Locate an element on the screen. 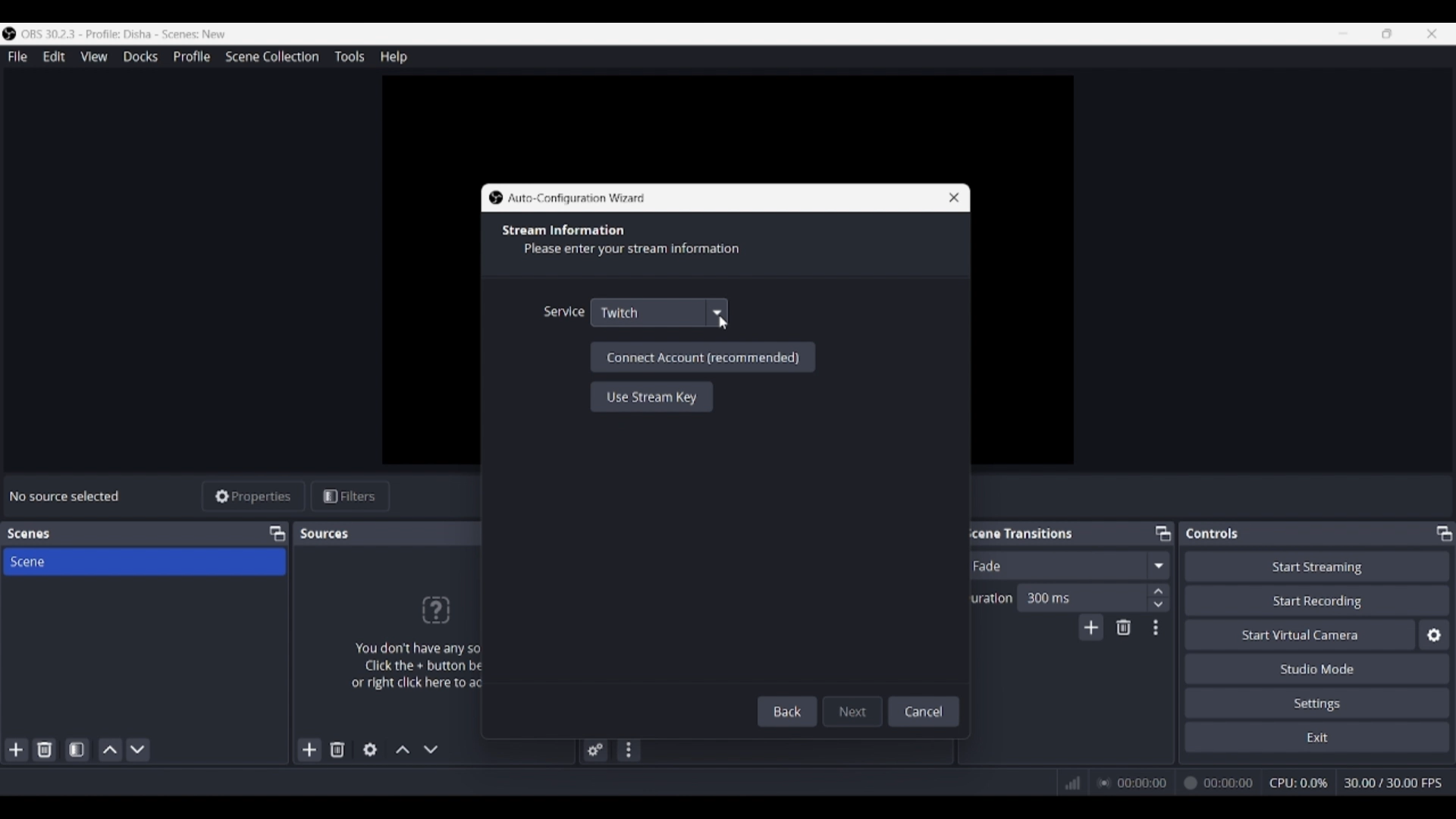 This screenshot has height=819, width=1456. Float scenes is located at coordinates (277, 534).